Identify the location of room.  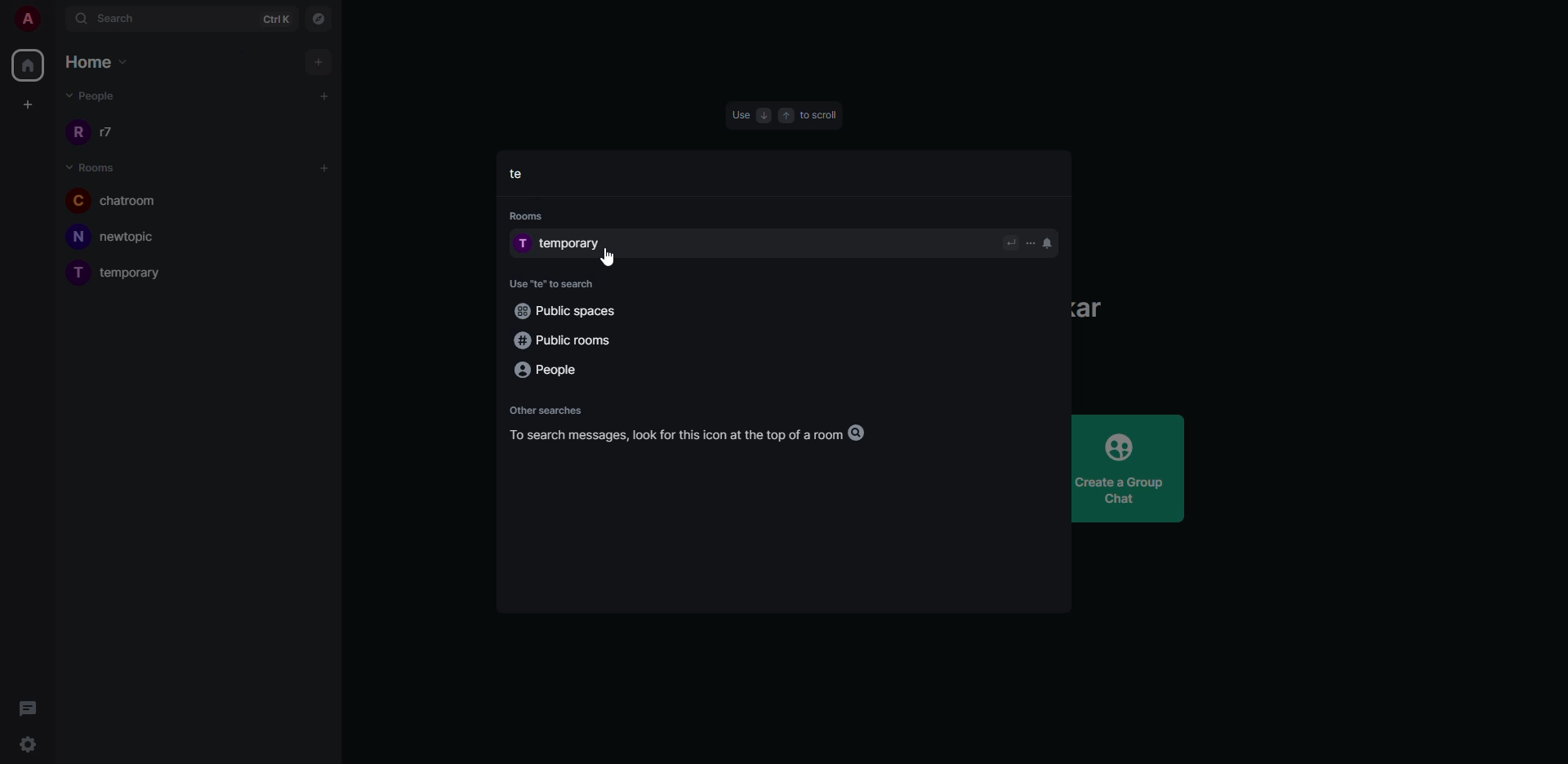
(115, 200).